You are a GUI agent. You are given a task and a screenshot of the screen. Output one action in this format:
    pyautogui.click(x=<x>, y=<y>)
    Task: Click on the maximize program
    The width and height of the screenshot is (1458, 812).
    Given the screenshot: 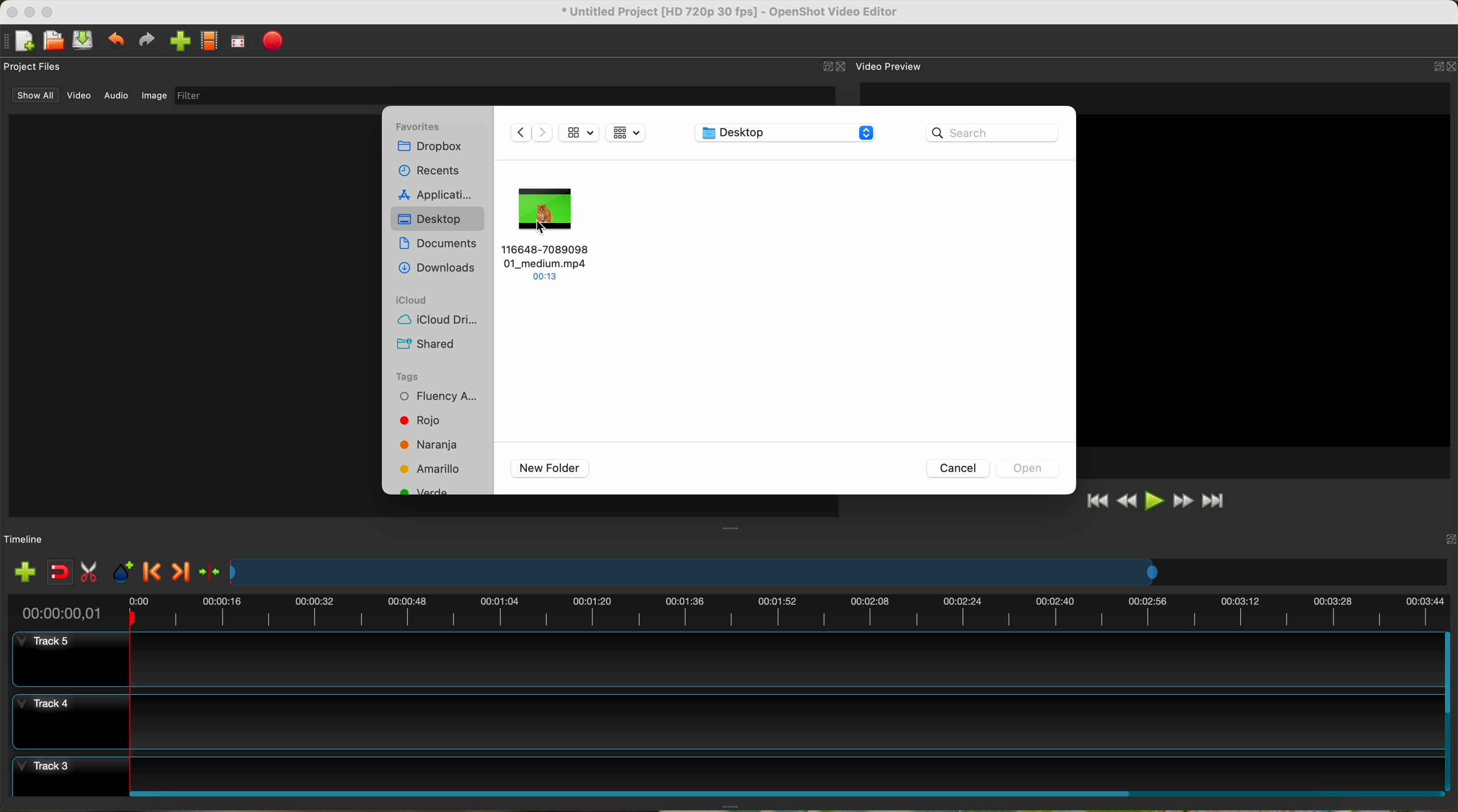 What is the action you would take?
    pyautogui.click(x=49, y=12)
    